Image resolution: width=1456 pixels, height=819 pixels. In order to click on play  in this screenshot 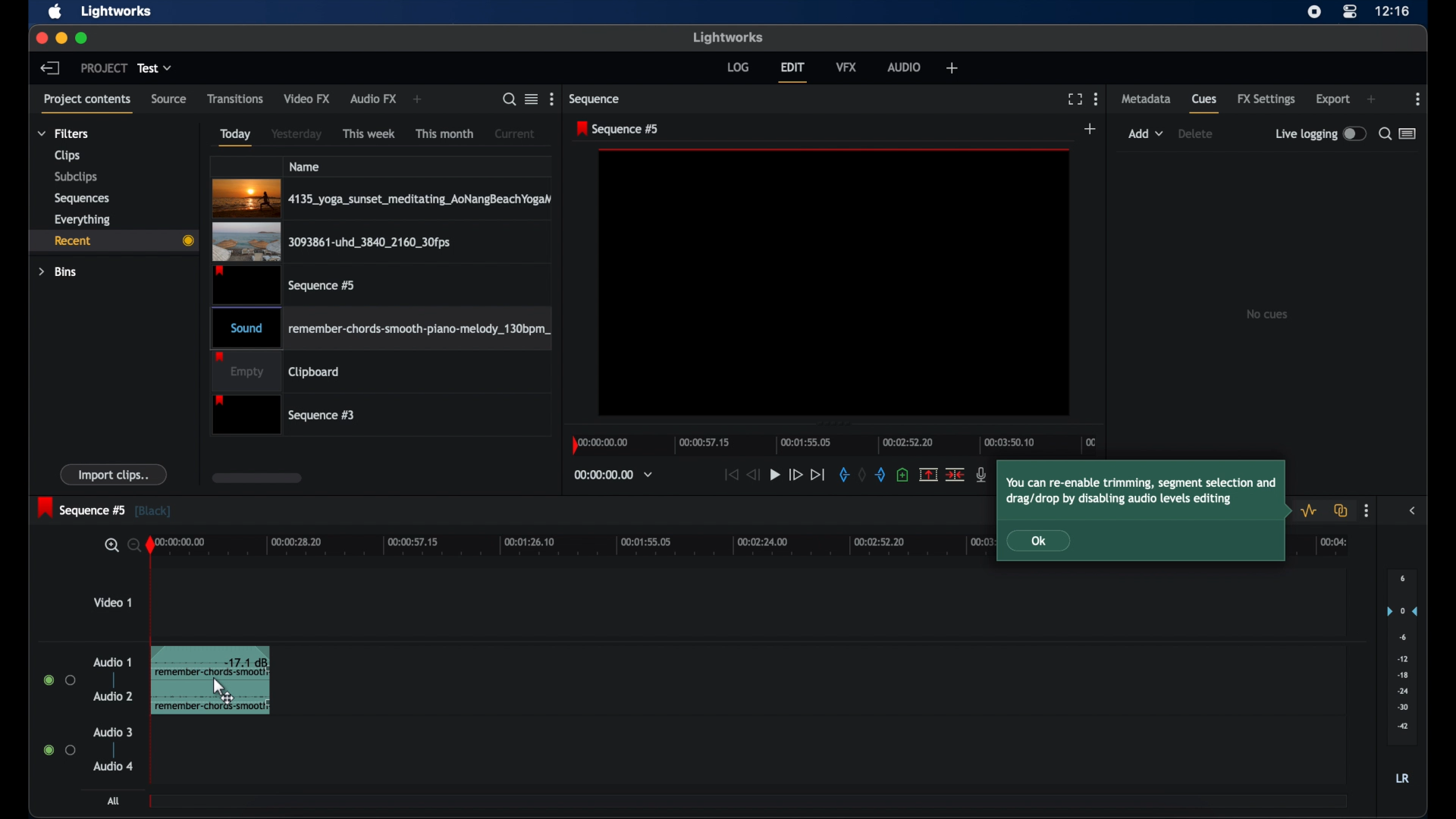, I will do `click(775, 475)`.